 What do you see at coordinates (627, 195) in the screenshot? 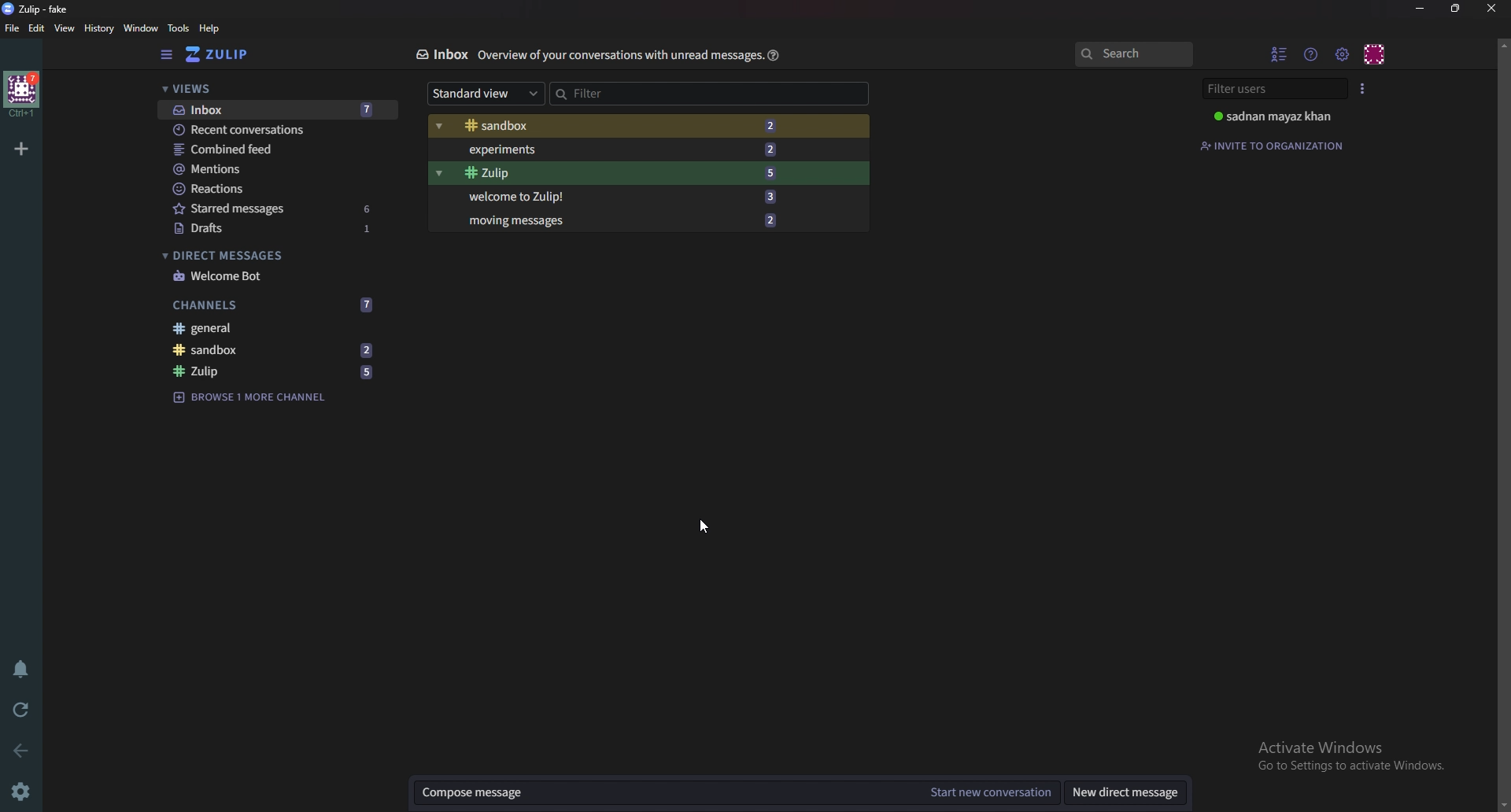
I see `Welcome to Zulip` at bounding box center [627, 195].